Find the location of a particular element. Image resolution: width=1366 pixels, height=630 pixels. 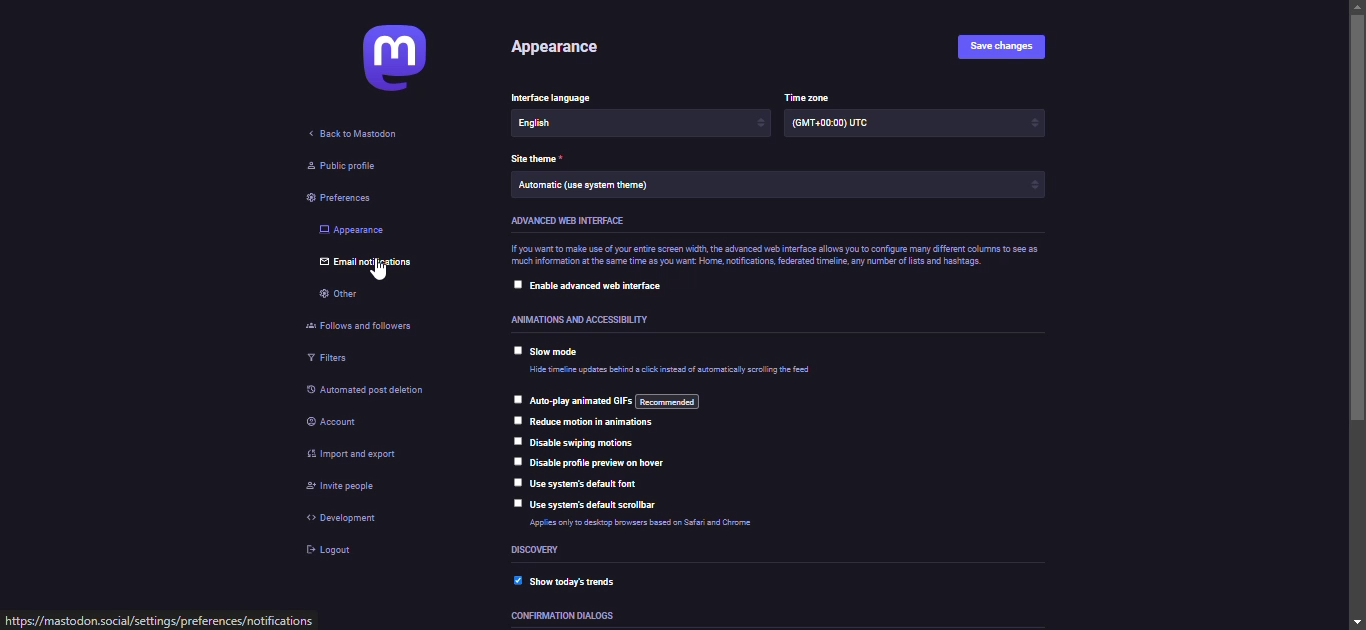

click to select is located at coordinates (515, 462).